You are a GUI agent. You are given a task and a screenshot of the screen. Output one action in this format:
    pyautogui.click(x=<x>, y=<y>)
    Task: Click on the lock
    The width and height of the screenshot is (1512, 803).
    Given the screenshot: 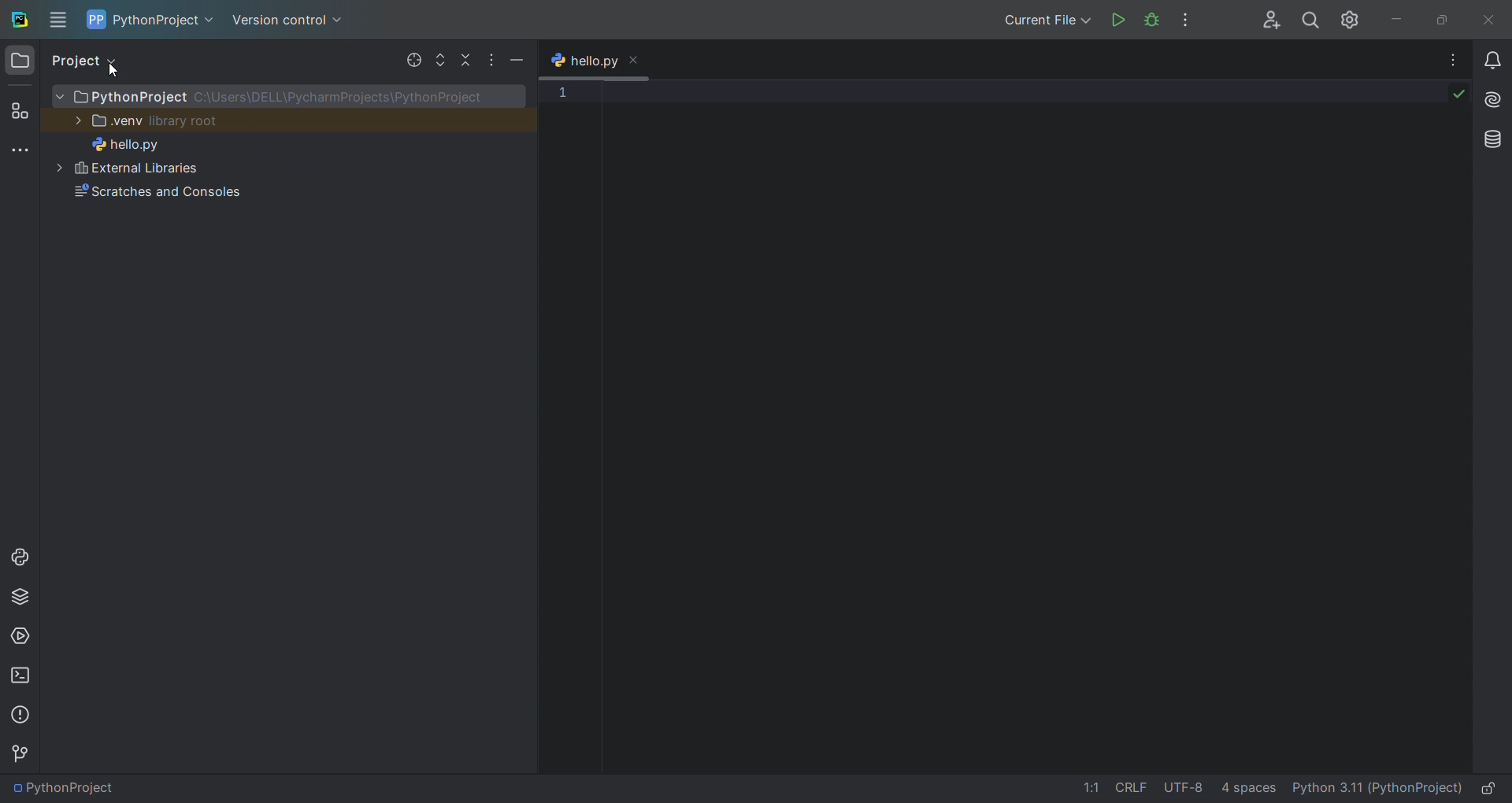 What is the action you would take?
    pyautogui.click(x=1494, y=786)
    